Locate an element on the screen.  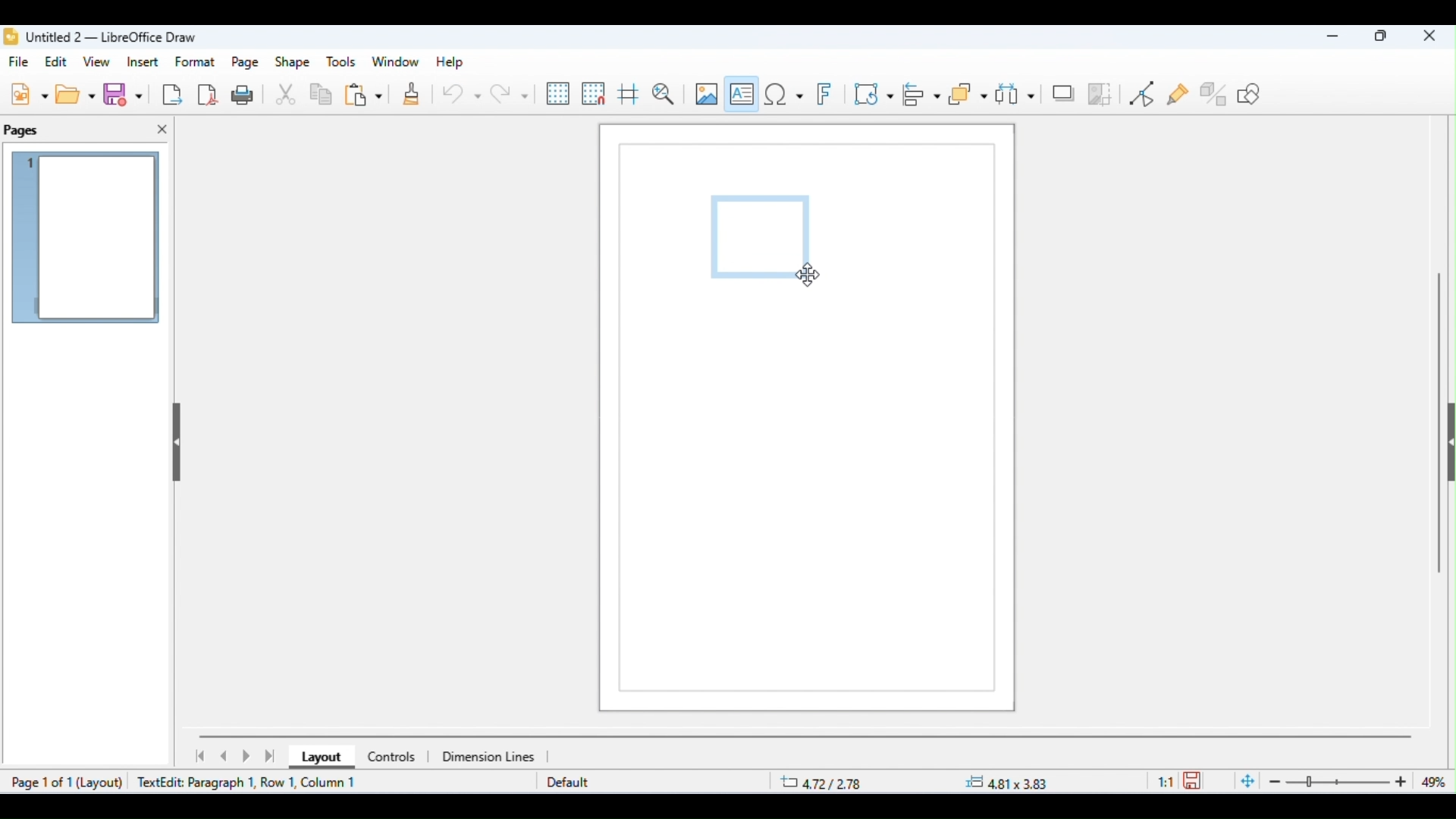
zoom is located at coordinates (1342, 782).